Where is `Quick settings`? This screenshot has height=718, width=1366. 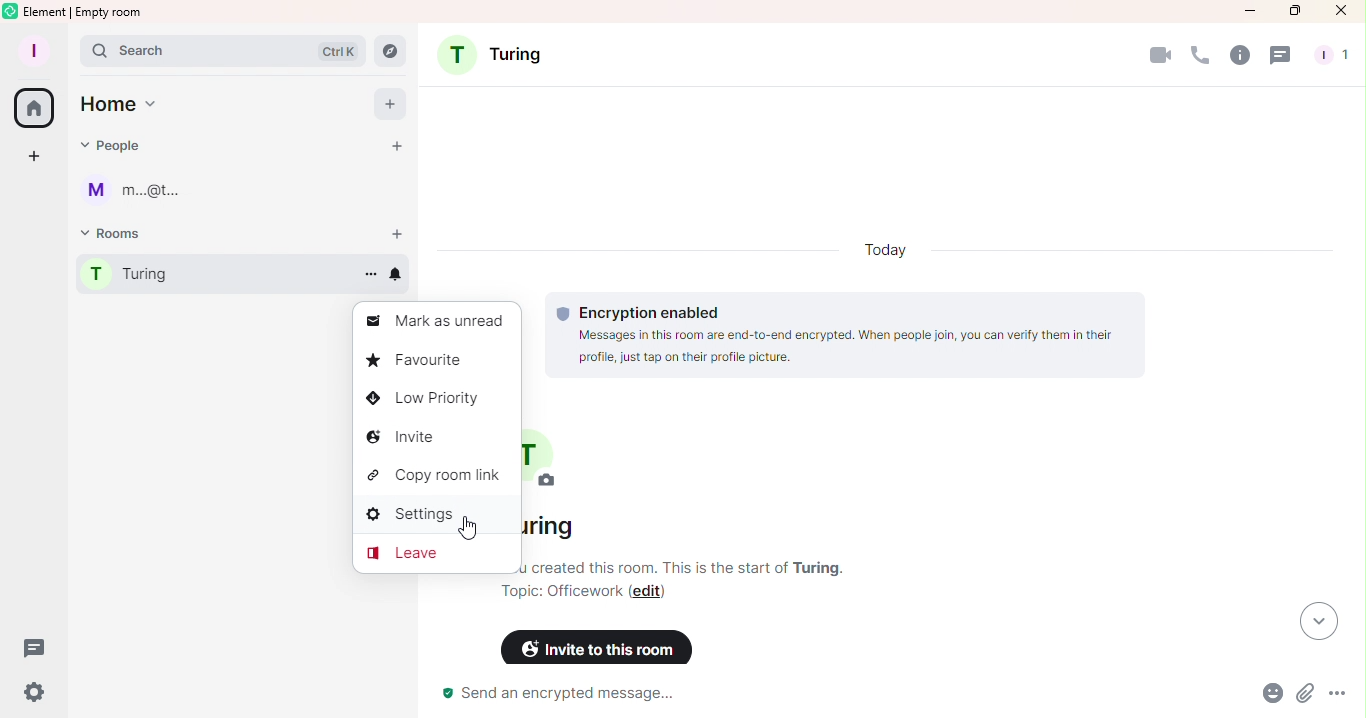
Quick settings is located at coordinates (34, 694).